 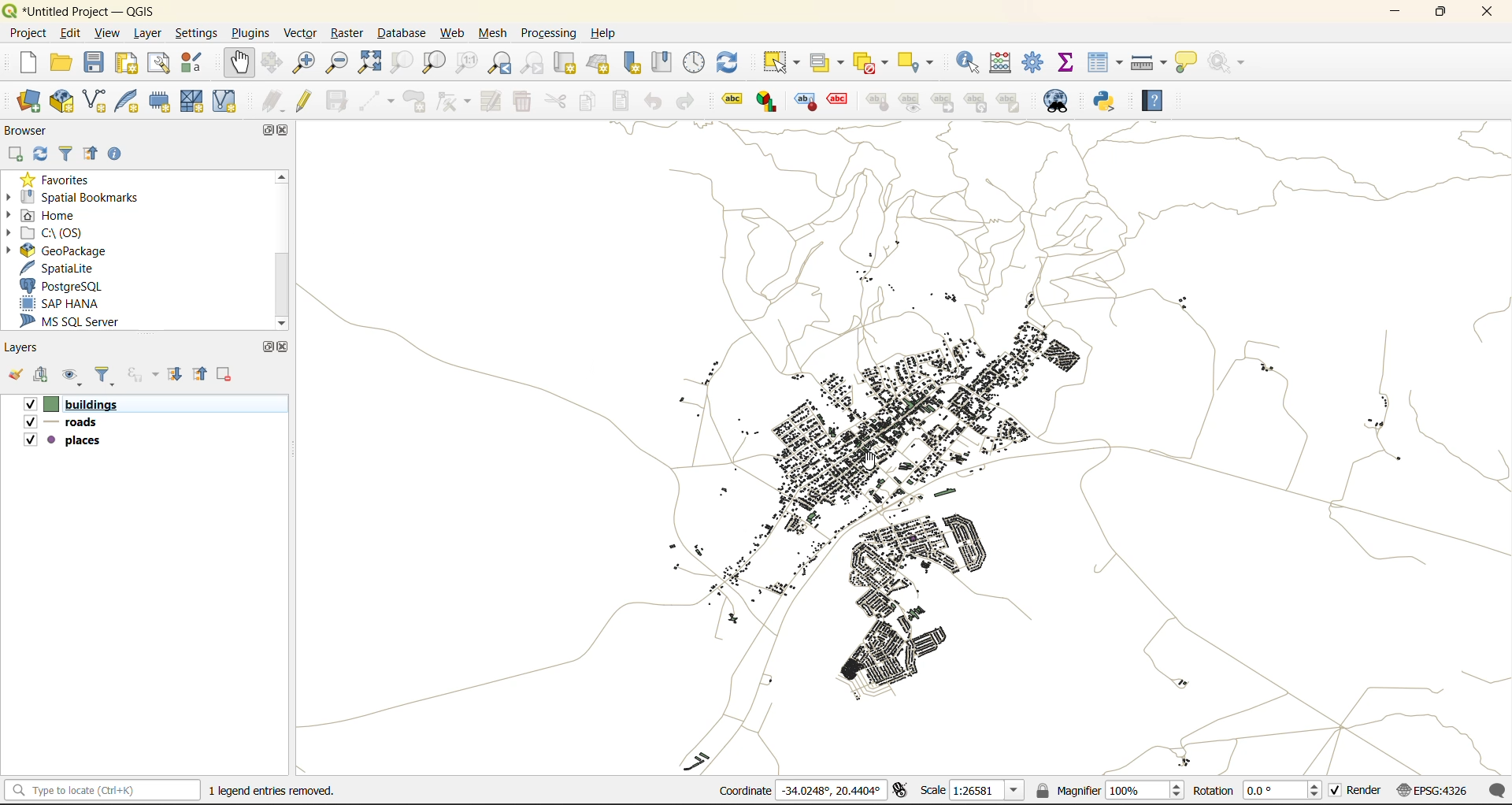 What do you see at coordinates (69, 285) in the screenshot?
I see `postgresql` at bounding box center [69, 285].